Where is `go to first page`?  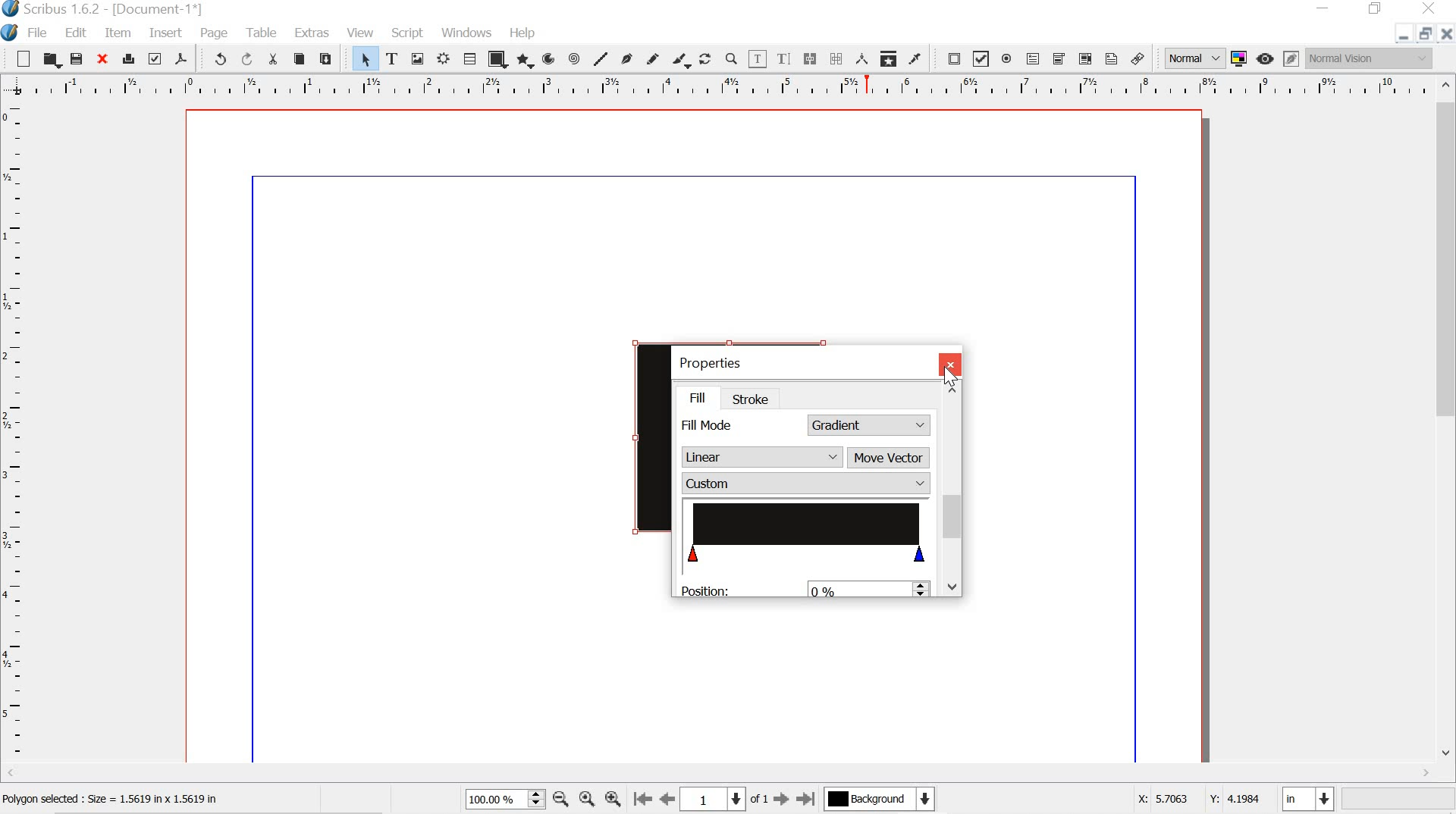 go to first page is located at coordinates (644, 801).